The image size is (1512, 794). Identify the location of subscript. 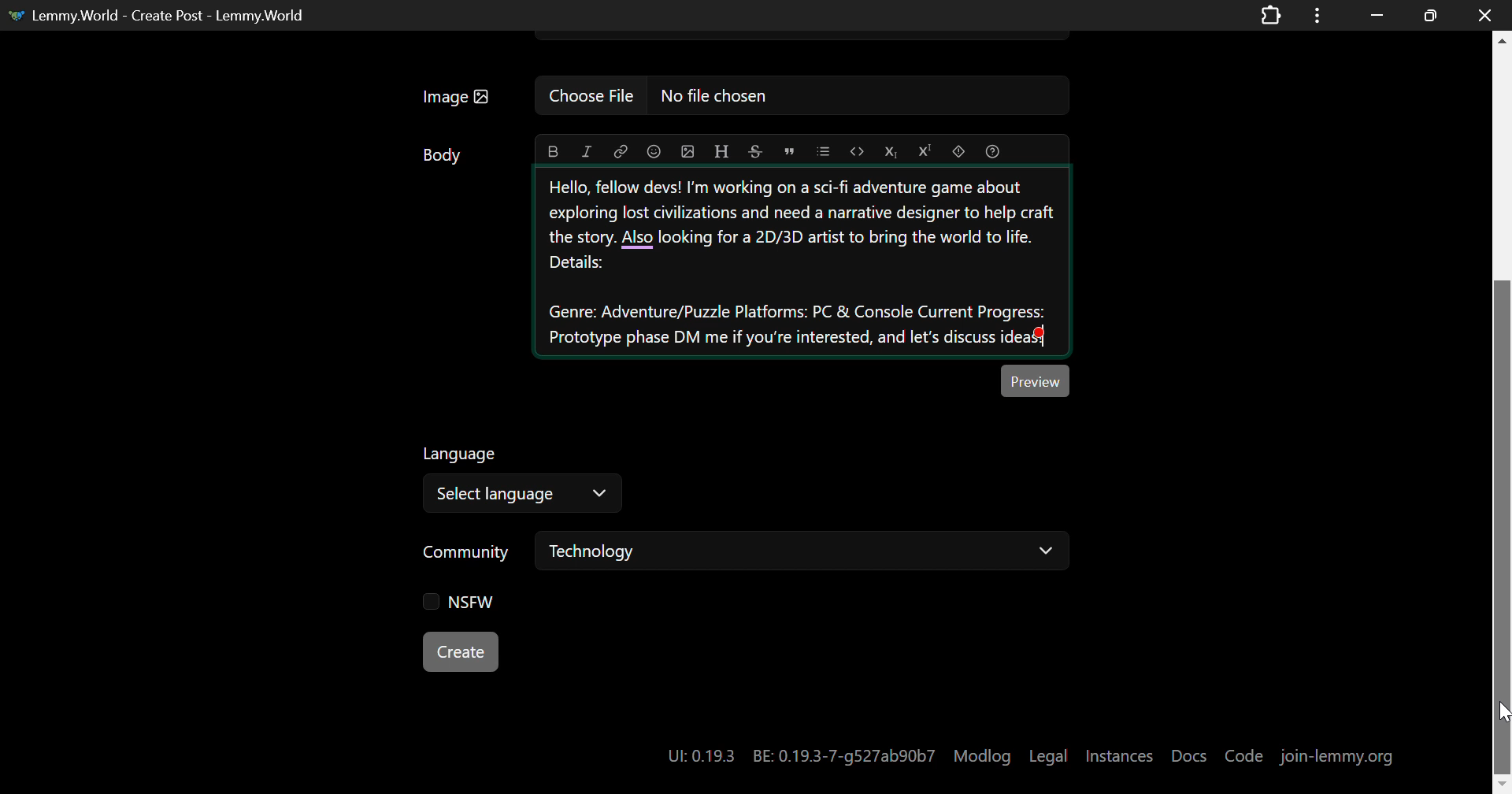
(892, 149).